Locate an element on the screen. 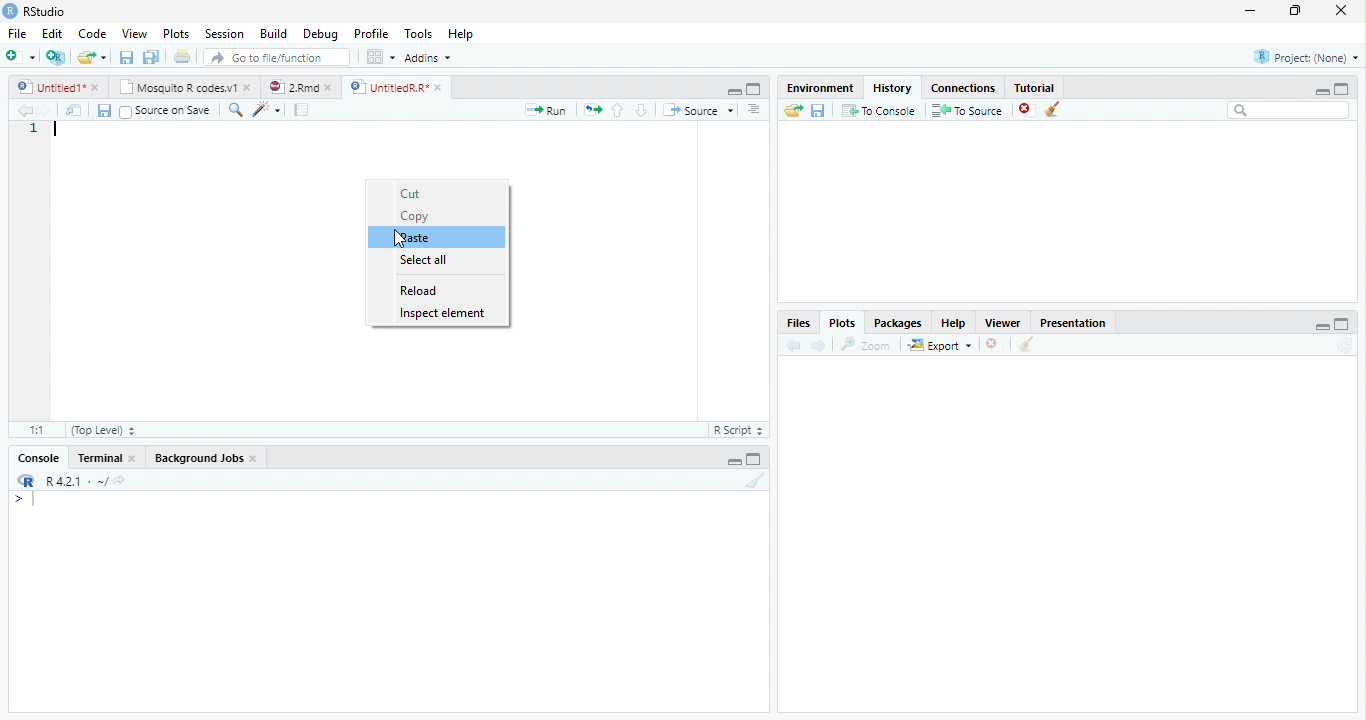 The image size is (1366, 720). Cut 1 is located at coordinates (432, 194).